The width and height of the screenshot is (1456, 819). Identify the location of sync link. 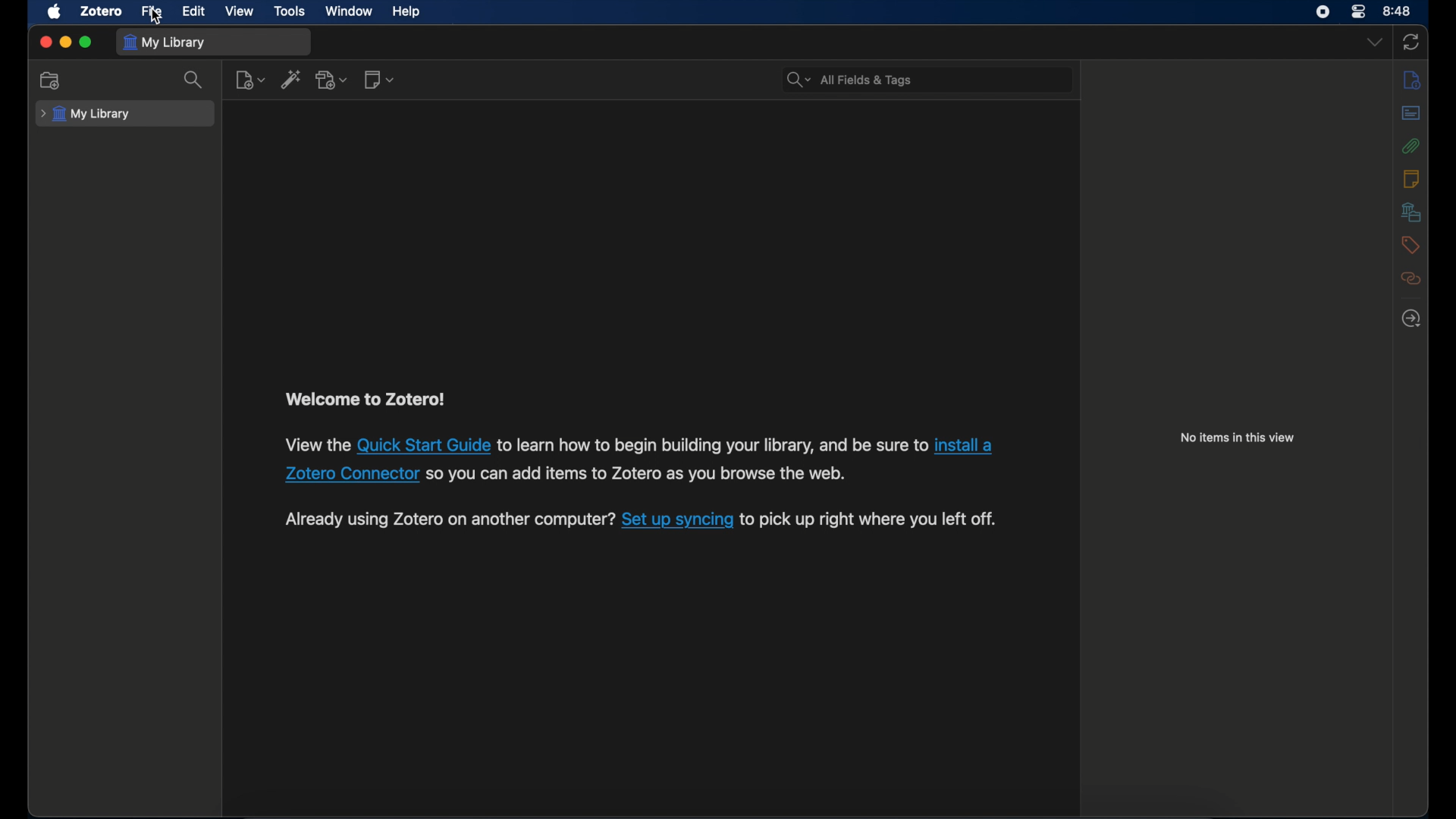
(677, 521).